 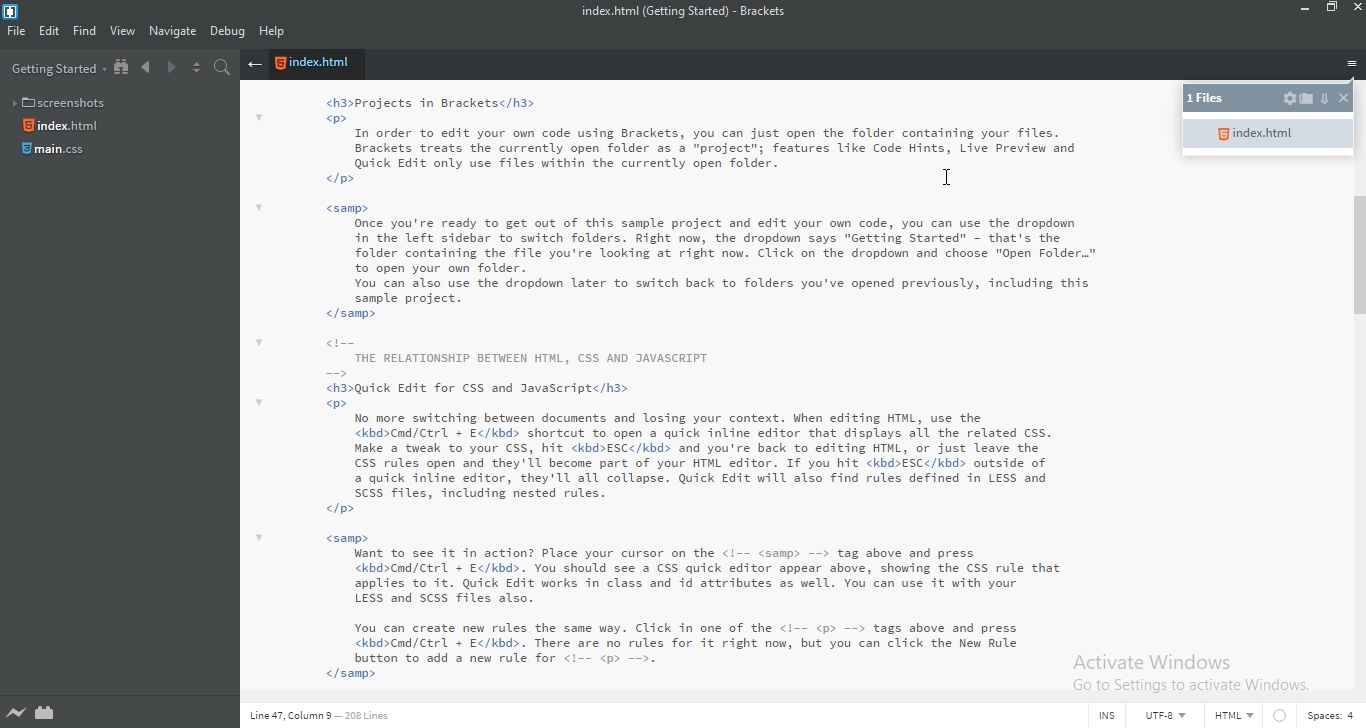 I want to click on Screenshots, so click(x=63, y=100).